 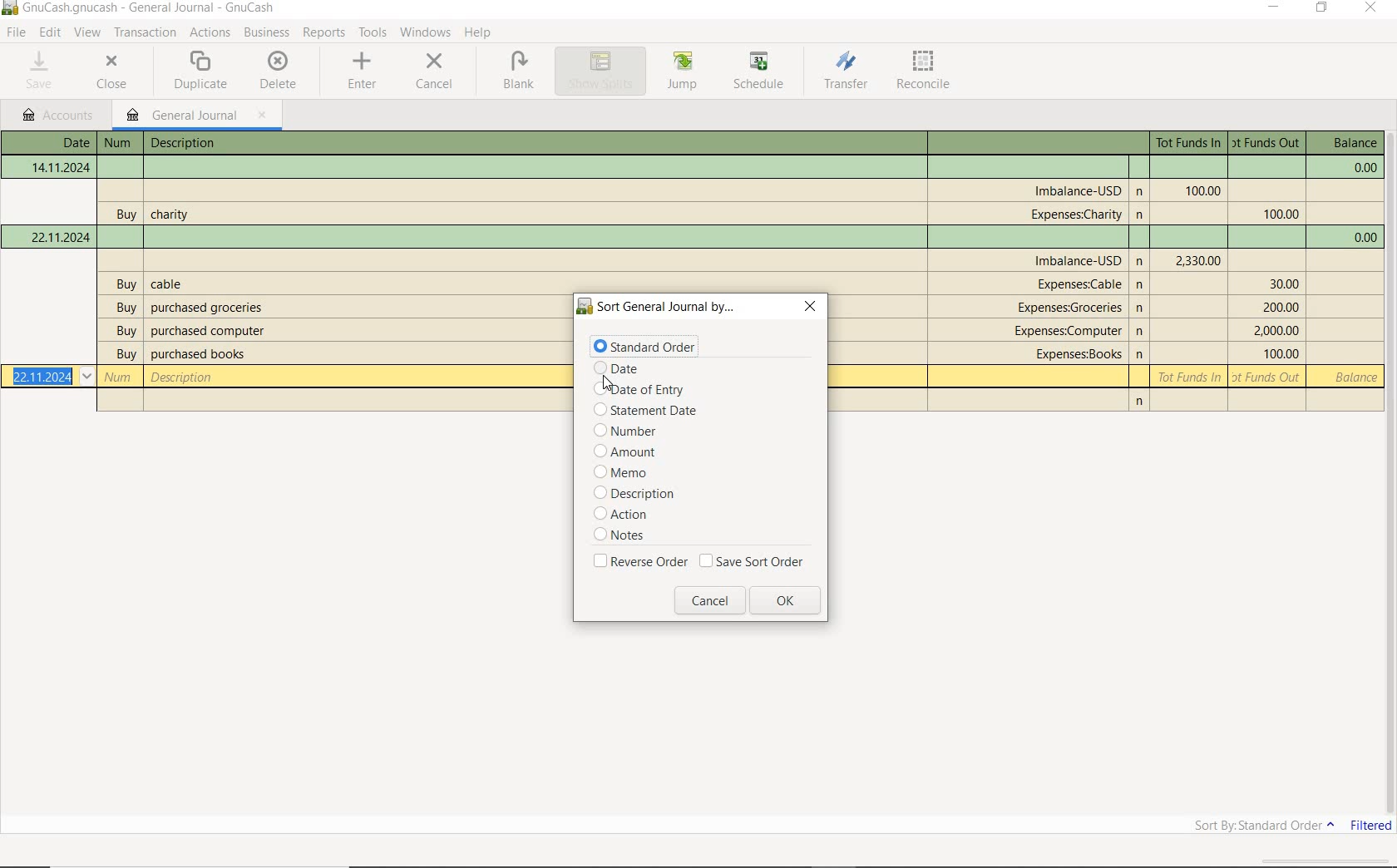 What do you see at coordinates (52, 33) in the screenshot?
I see `EDIT` at bounding box center [52, 33].